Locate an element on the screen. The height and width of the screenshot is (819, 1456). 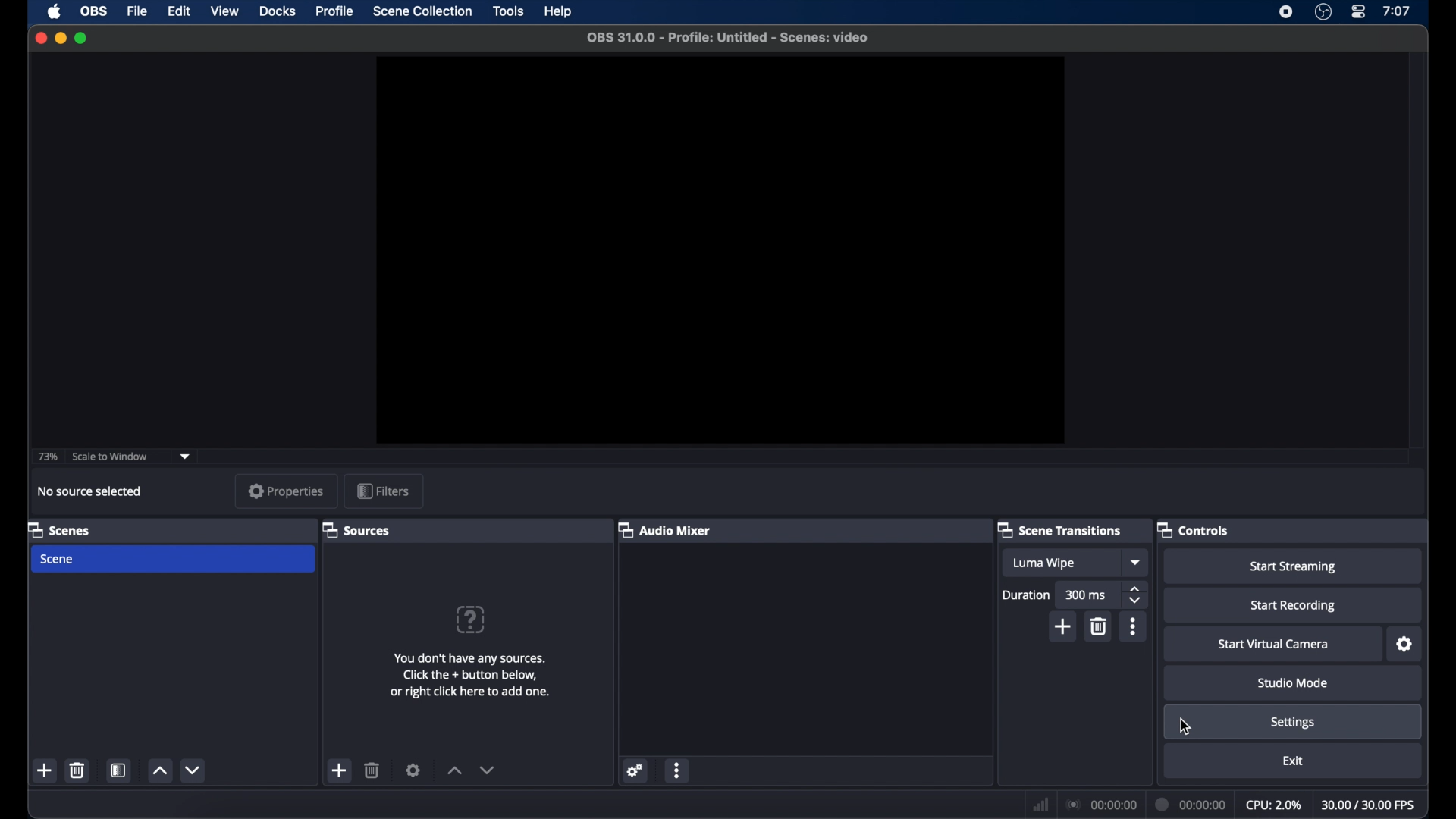
properties is located at coordinates (287, 491).